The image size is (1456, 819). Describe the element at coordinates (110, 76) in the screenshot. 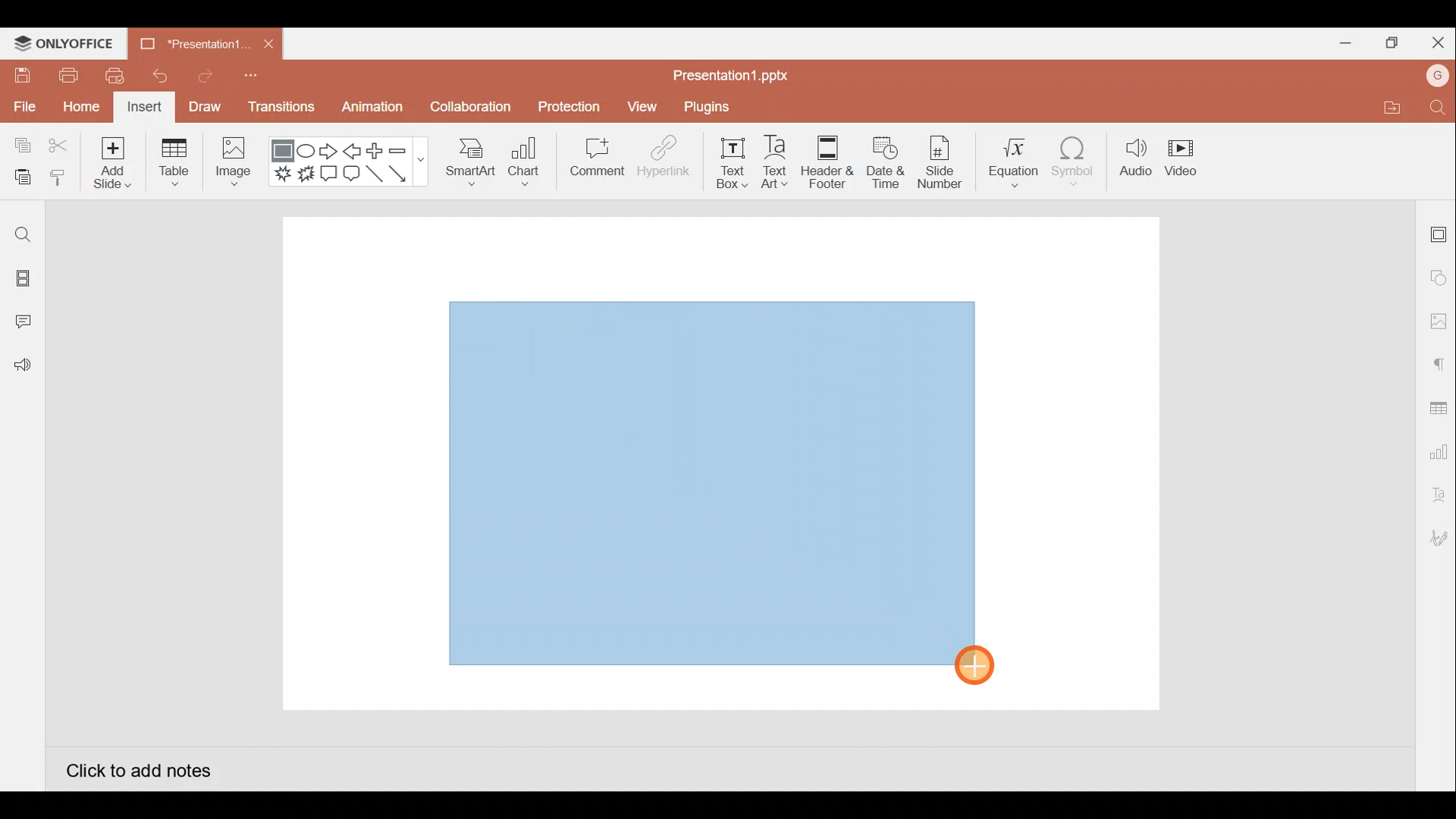

I see `Quick print` at that location.